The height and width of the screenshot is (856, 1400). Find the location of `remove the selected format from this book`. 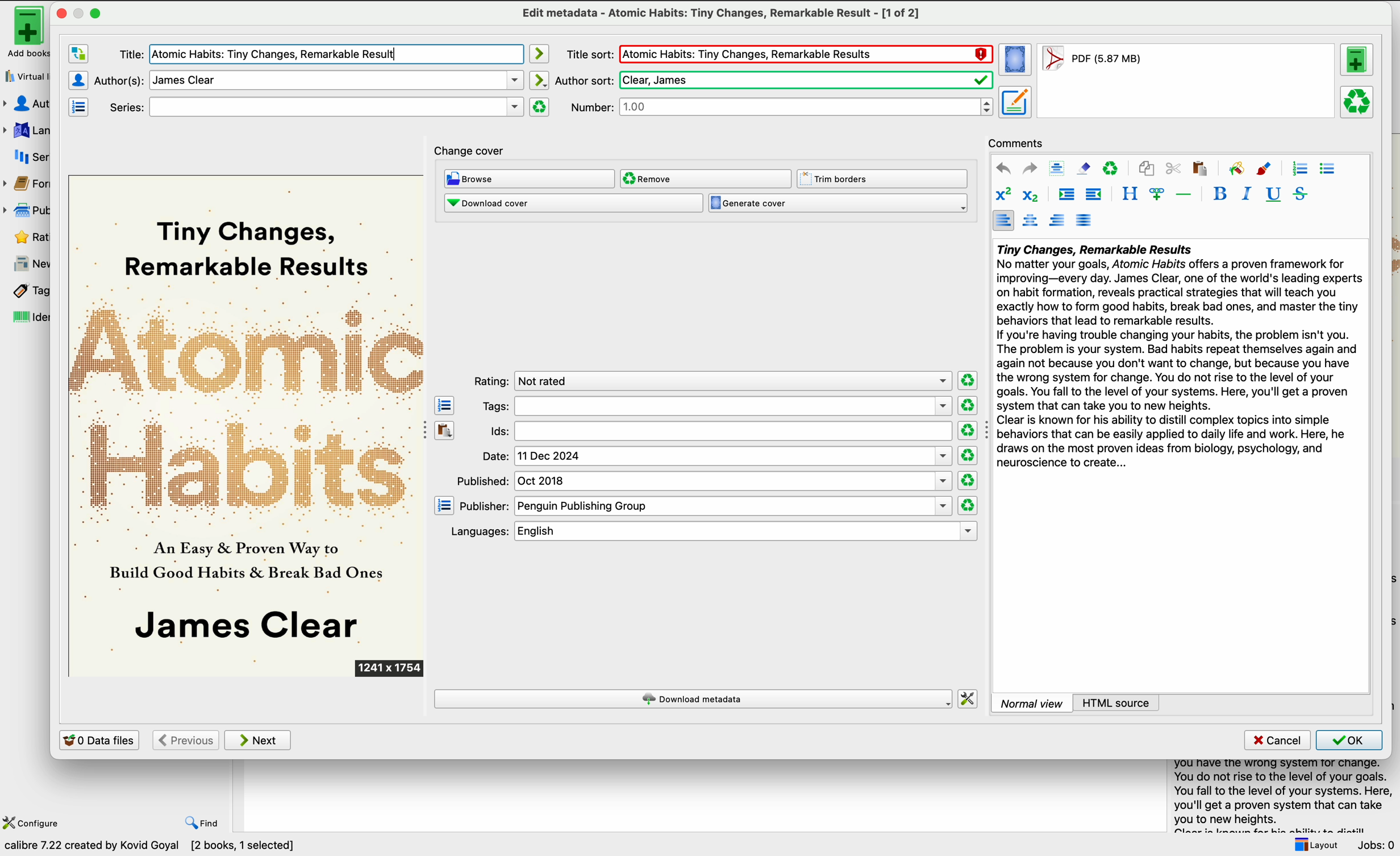

remove the selected format from this book is located at coordinates (1358, 103).